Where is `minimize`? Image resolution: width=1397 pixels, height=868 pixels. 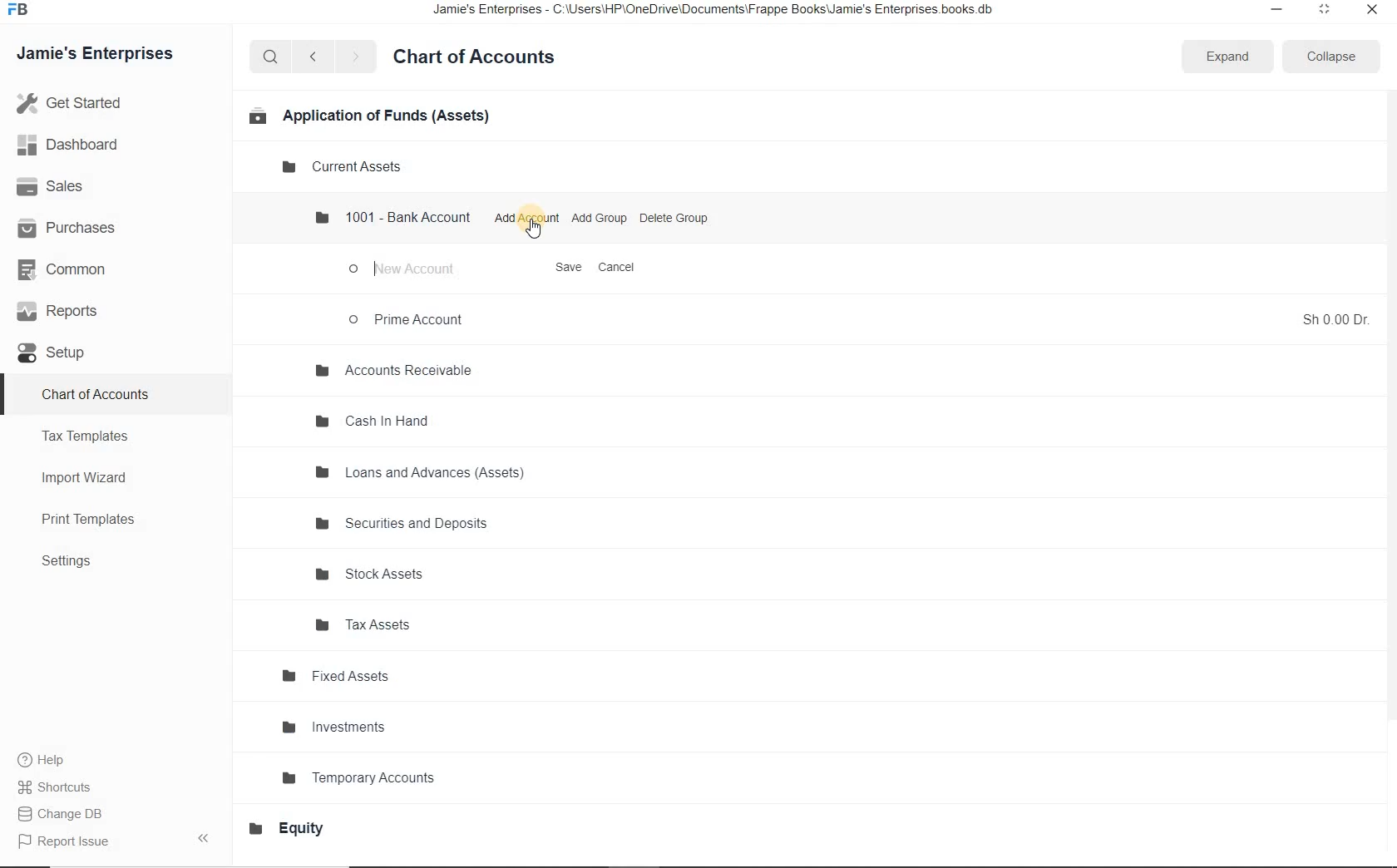
minimize is located at coordinates (1272, 10).